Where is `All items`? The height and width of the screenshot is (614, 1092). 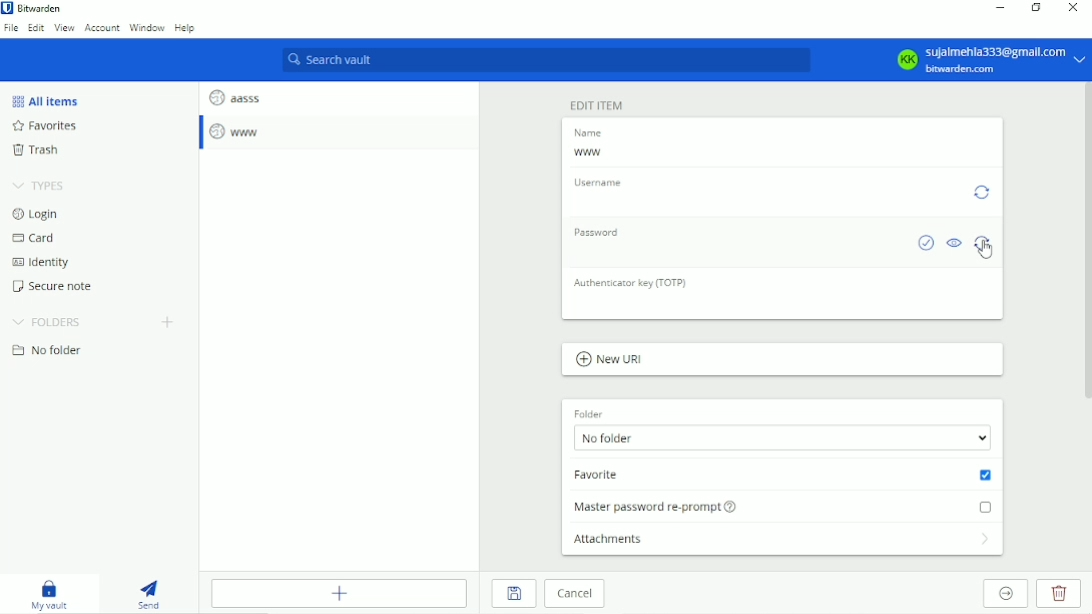
All items is located at coordinates (44, 100).